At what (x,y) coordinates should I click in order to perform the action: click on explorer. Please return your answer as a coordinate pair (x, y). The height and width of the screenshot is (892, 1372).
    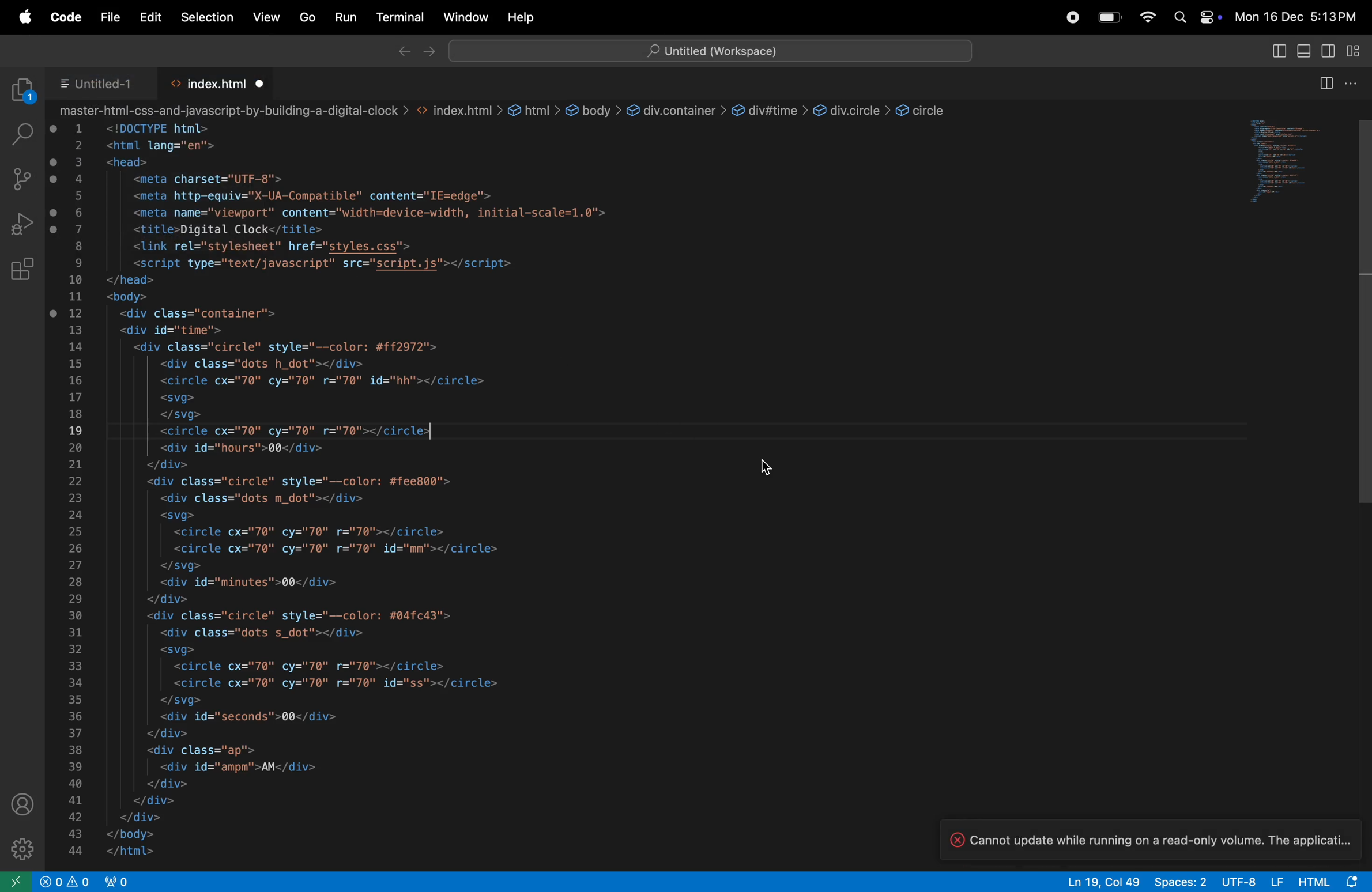
    Looking at the image, I should click on (18, 89).